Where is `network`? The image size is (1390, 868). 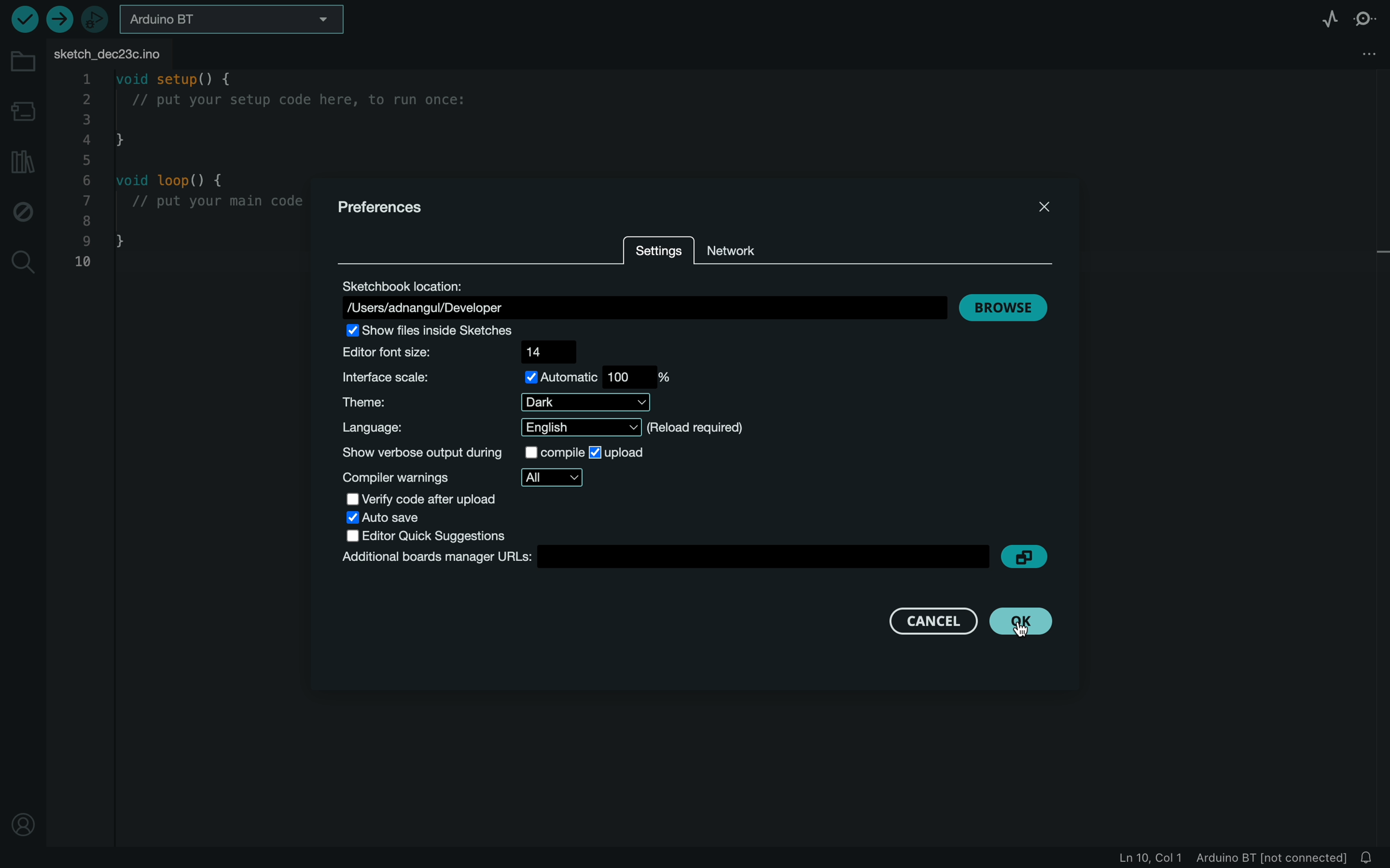 network is located at coordinates (755, 246).